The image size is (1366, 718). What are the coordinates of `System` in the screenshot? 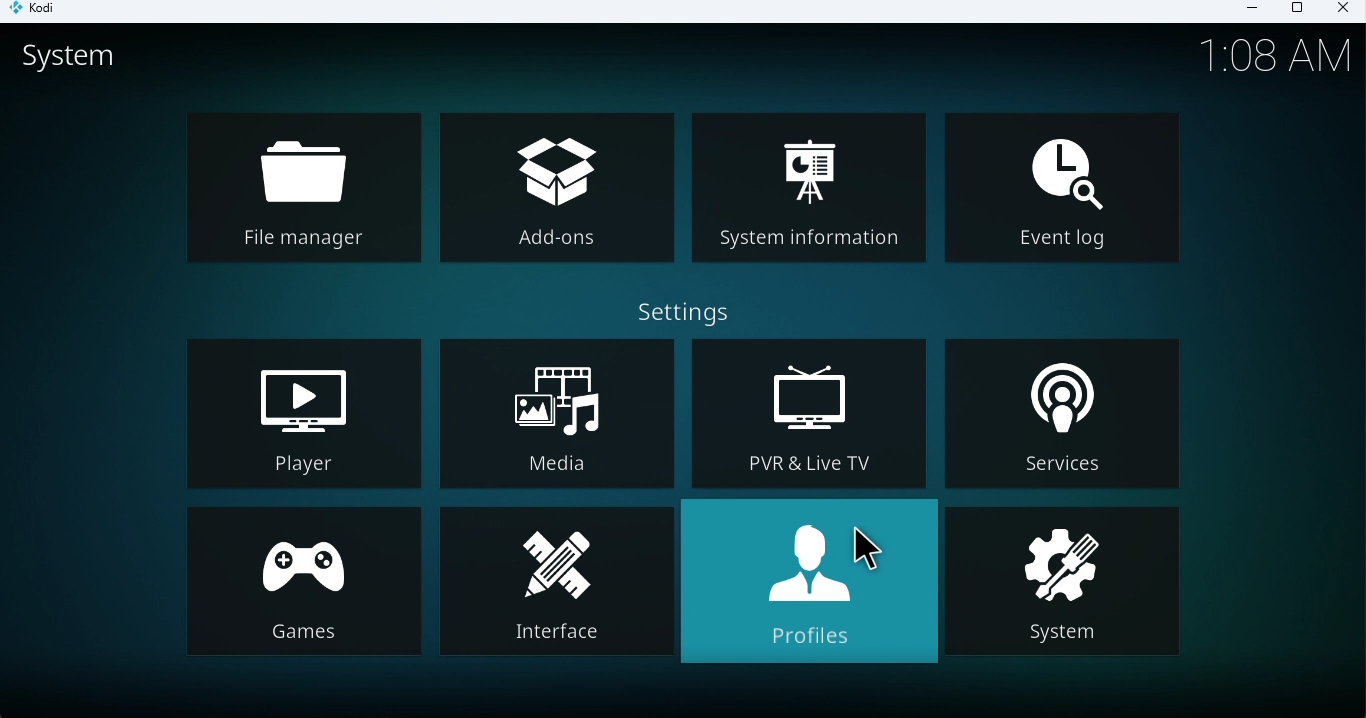 It's located at (86, 65).